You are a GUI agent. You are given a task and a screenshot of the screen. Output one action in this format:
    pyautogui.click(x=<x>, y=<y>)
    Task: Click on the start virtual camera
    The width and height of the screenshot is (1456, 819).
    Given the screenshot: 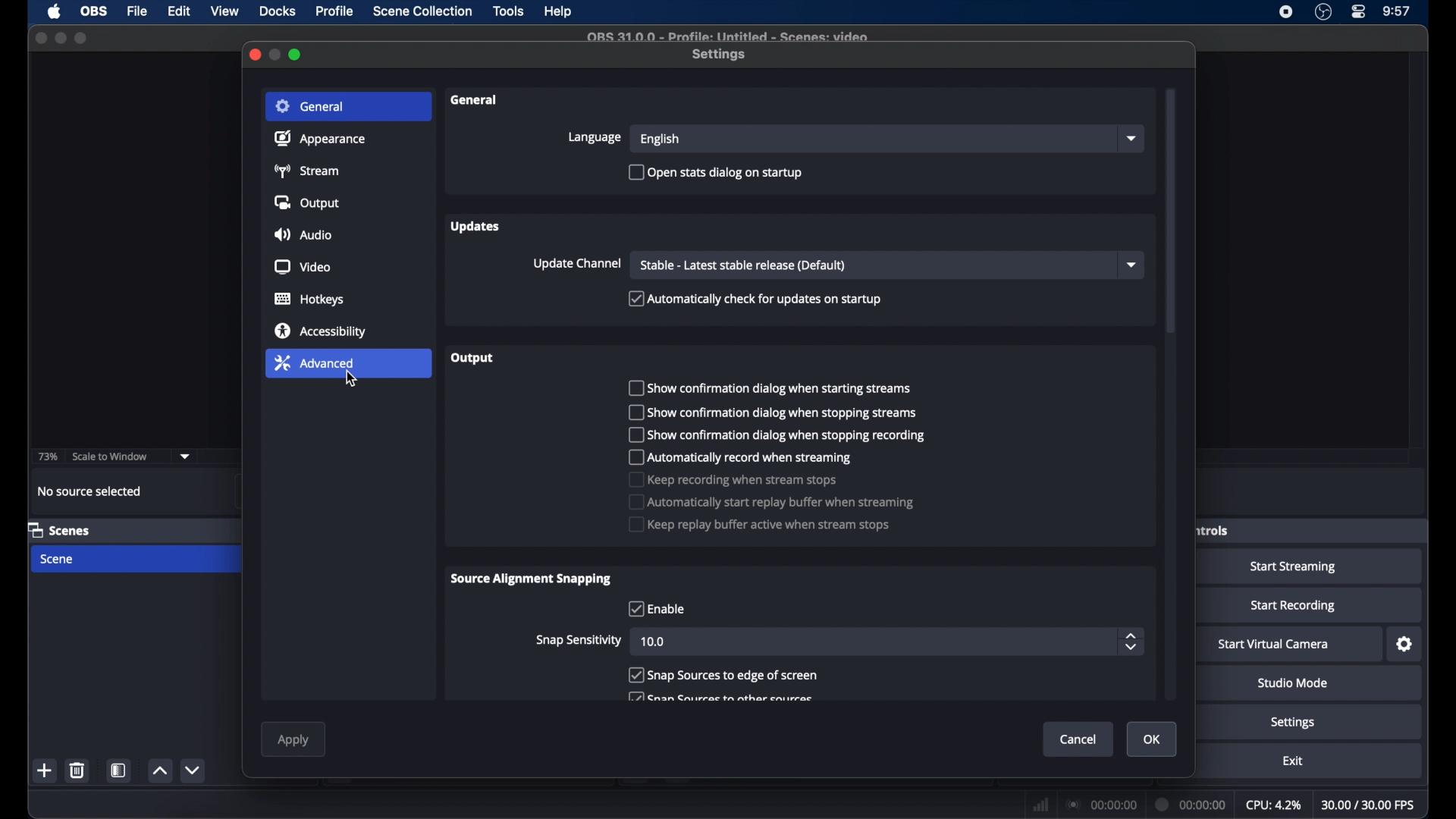 What is the action you would take?
    pyautogui.click(x=1274, y=645)
    